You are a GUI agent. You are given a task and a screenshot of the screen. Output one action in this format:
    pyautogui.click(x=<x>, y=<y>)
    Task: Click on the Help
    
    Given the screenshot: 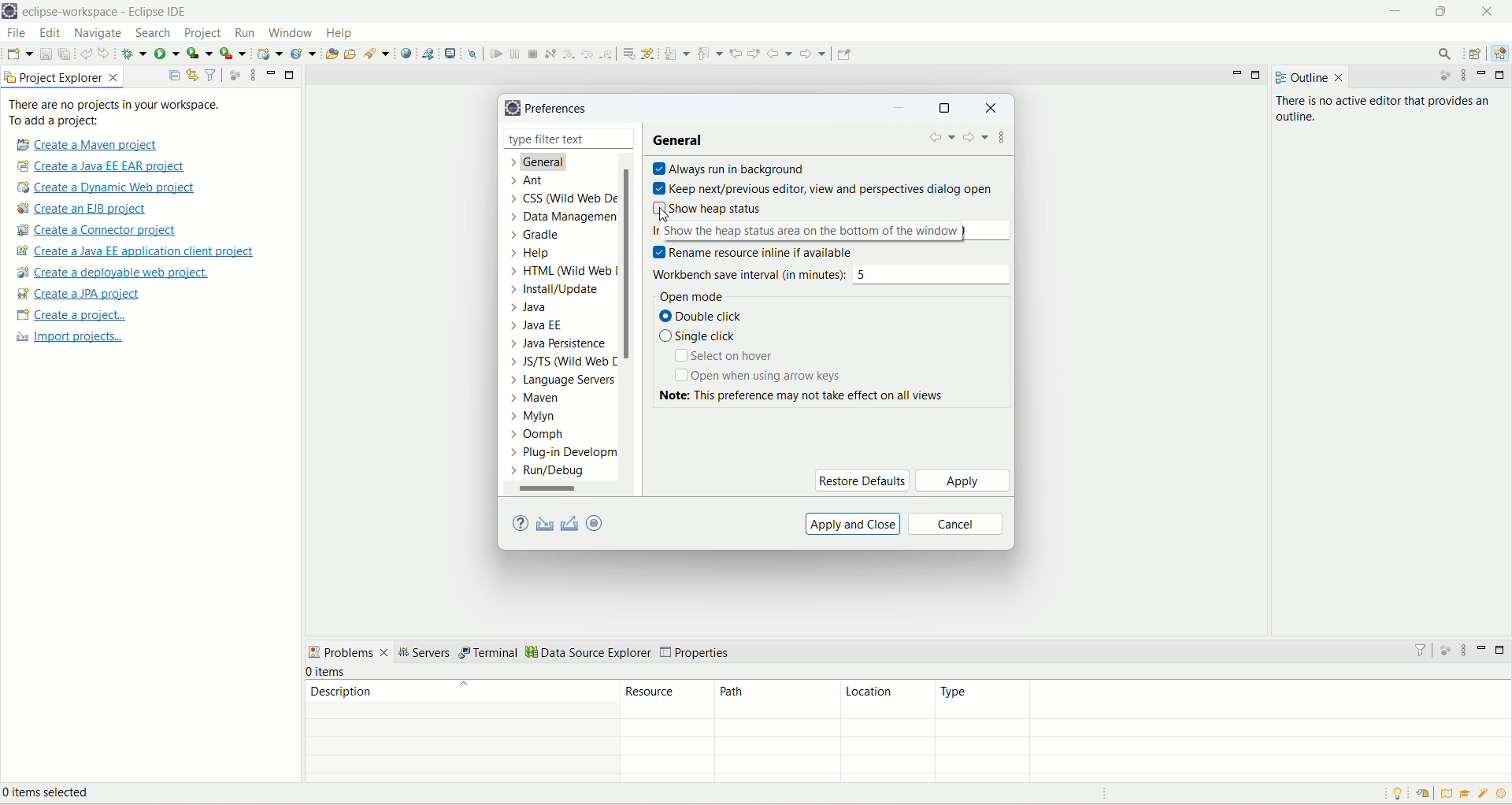 What is the action you would take?
    pyautogui.click(x=533, y=256)
    